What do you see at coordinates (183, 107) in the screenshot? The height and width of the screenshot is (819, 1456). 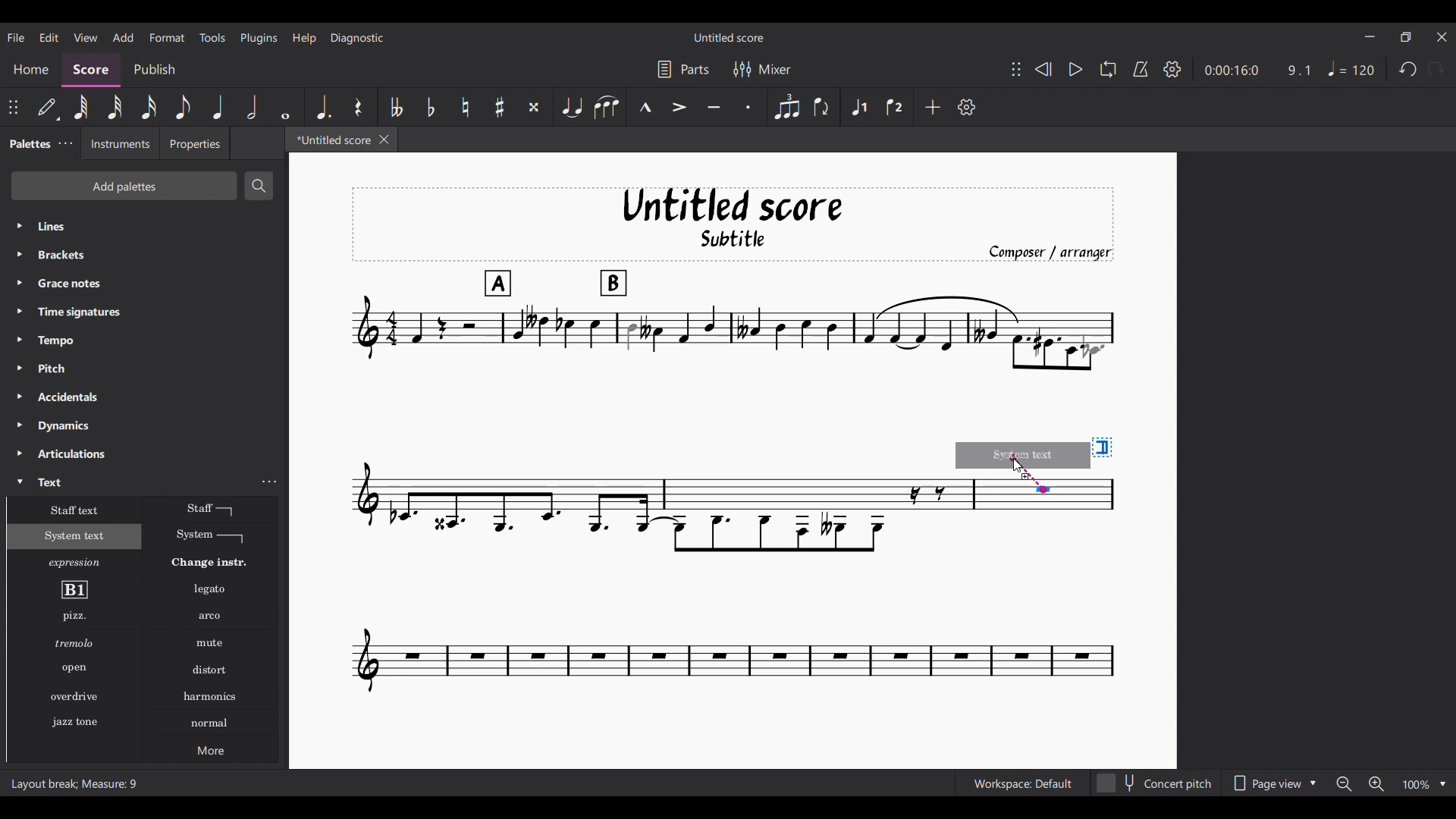 I see `8th note` at bounding box center [183, 107].